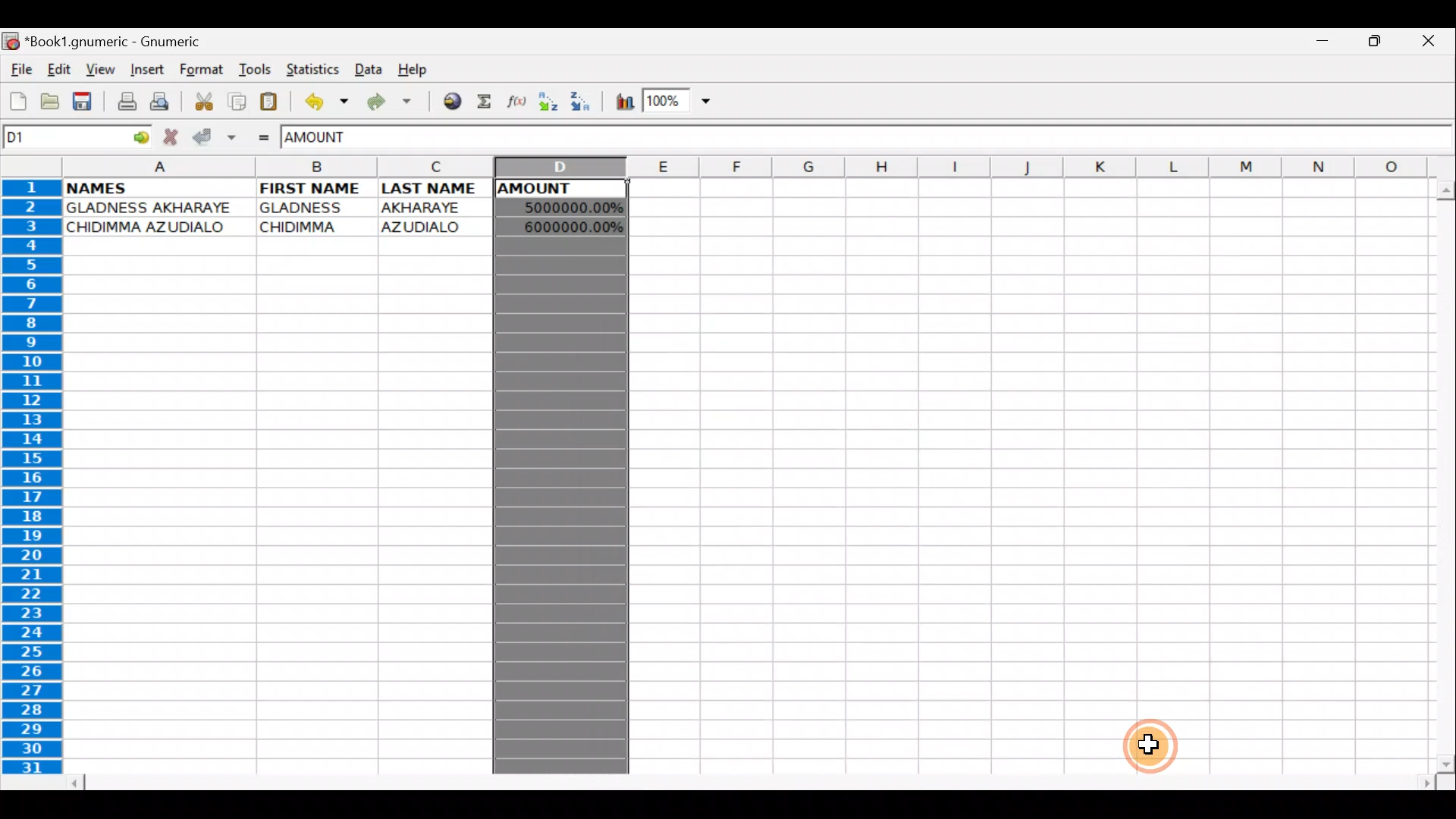  What do you see at coordinates (308, 227) in the screenshot?
I see `CHIDIMMA` at bounding box center [308, 227].